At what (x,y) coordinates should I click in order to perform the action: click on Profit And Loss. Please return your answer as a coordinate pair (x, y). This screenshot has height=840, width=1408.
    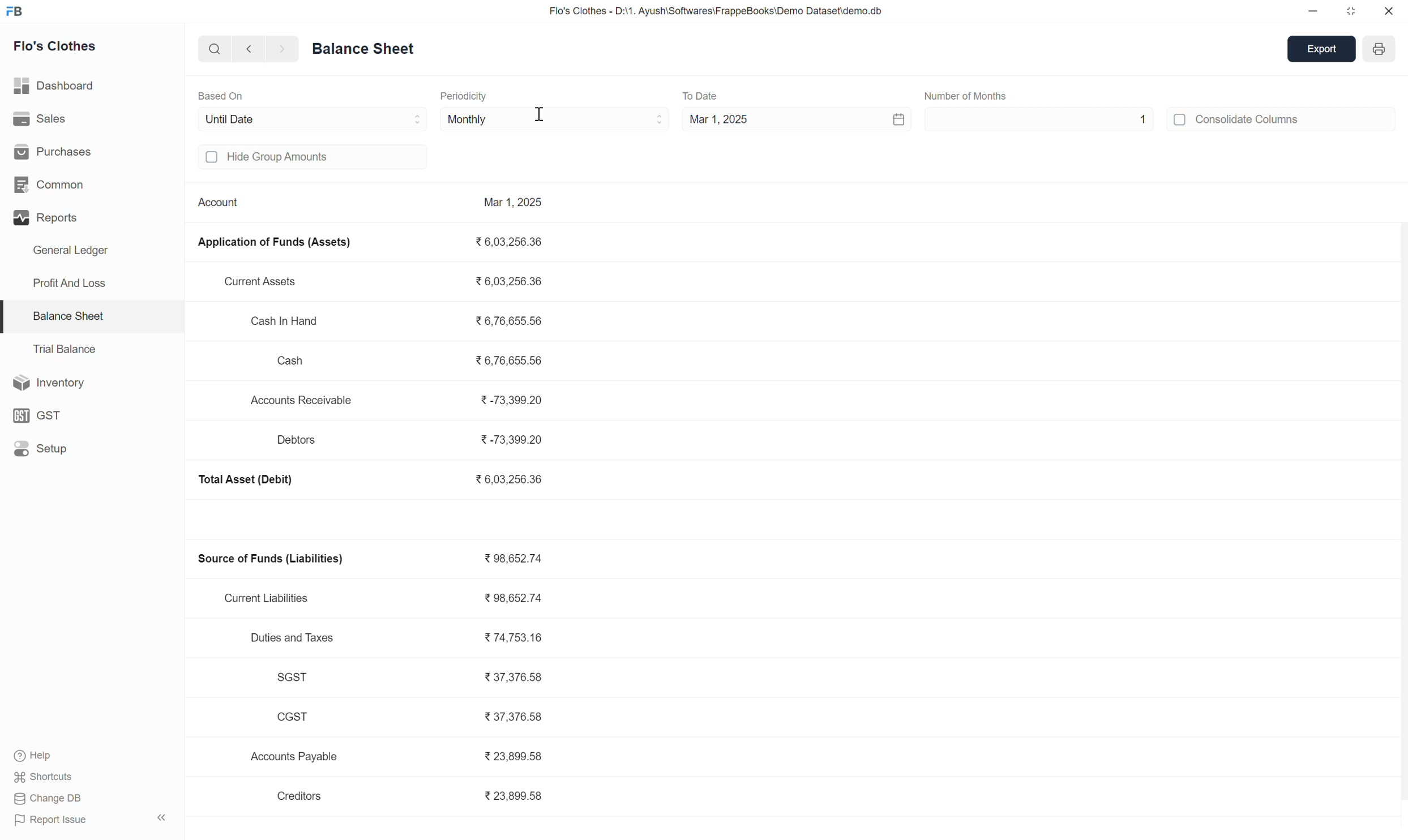
    Looking at the image, I should click on (74, 282).